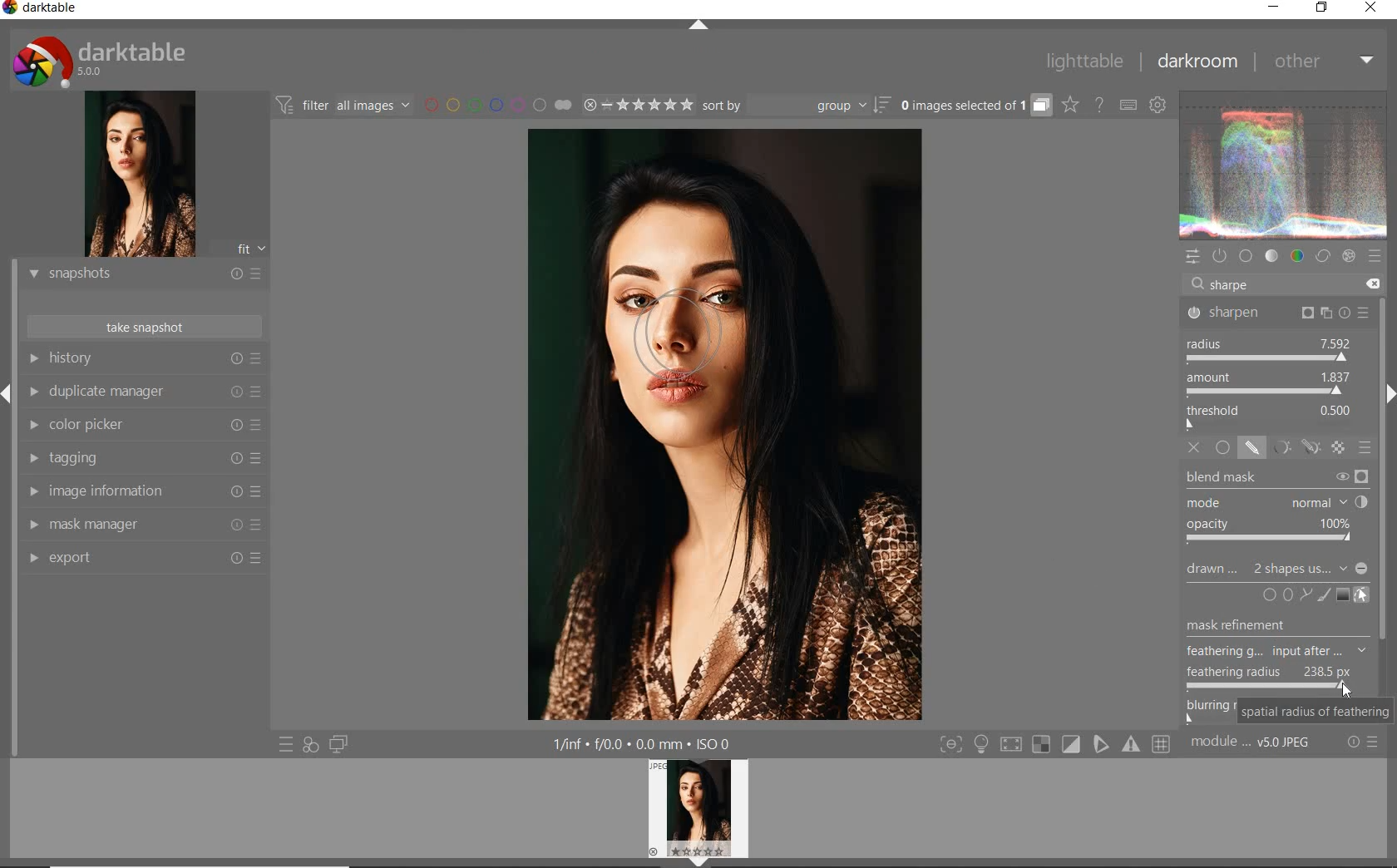 This screenshot has width=1397, height=868. I want to click on reset or presets & preferences, so click(1363, 745).